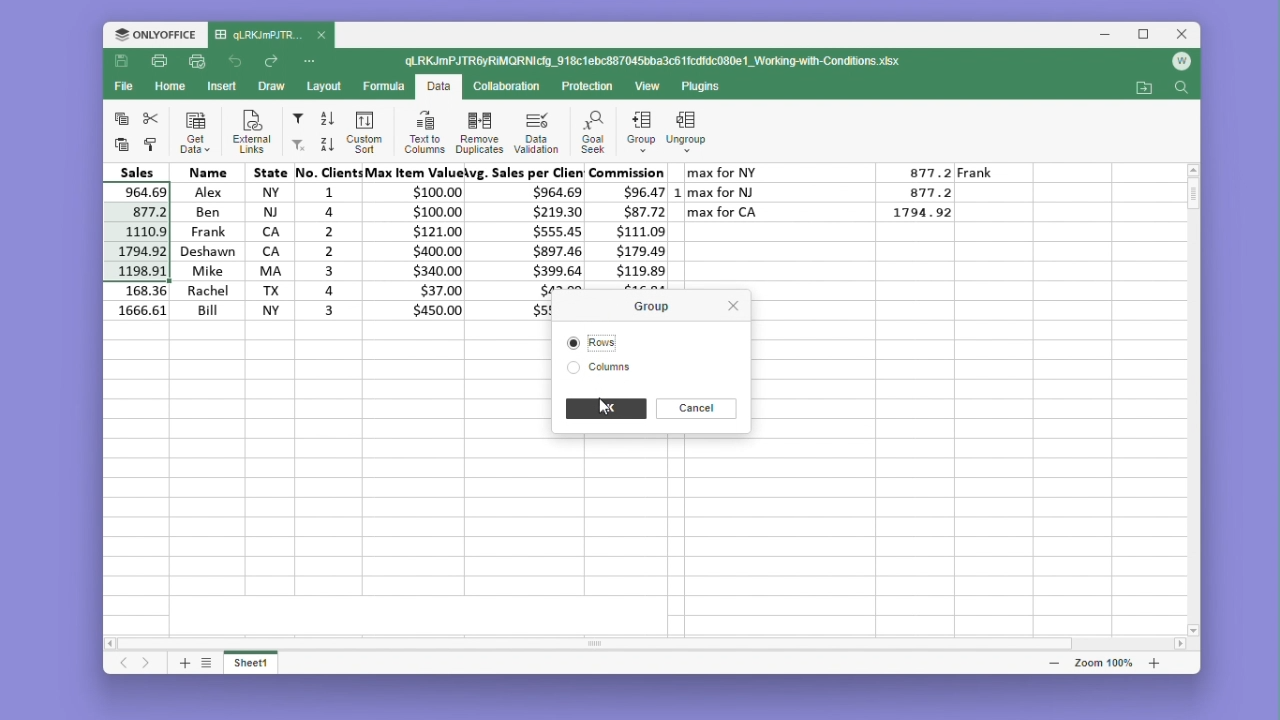 This screenshot has height=720, width=1280. Describe the element at coordinates (158, 63) in the screenshot. I see `Print file` at that location.